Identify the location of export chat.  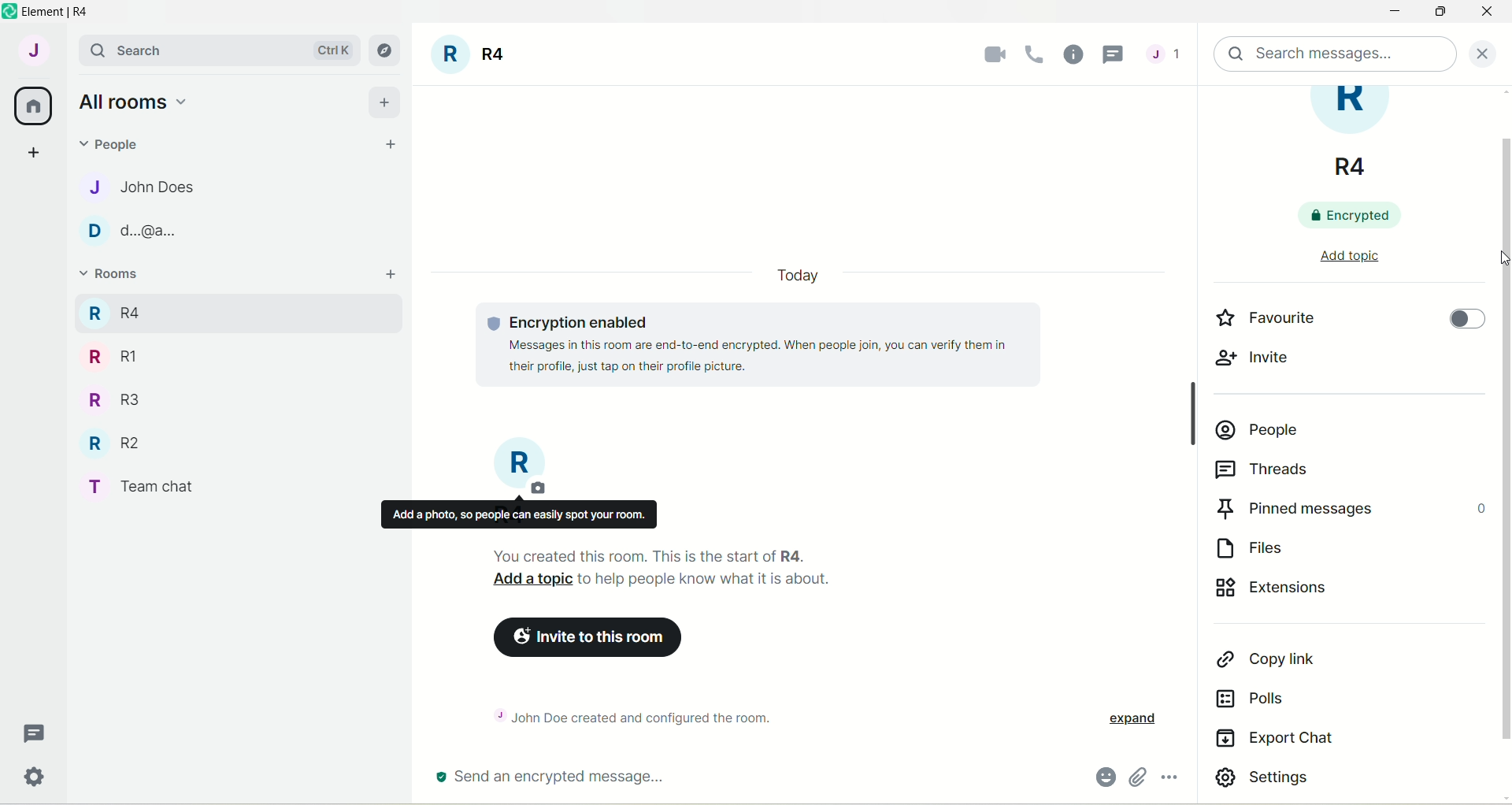
(1275, 741).